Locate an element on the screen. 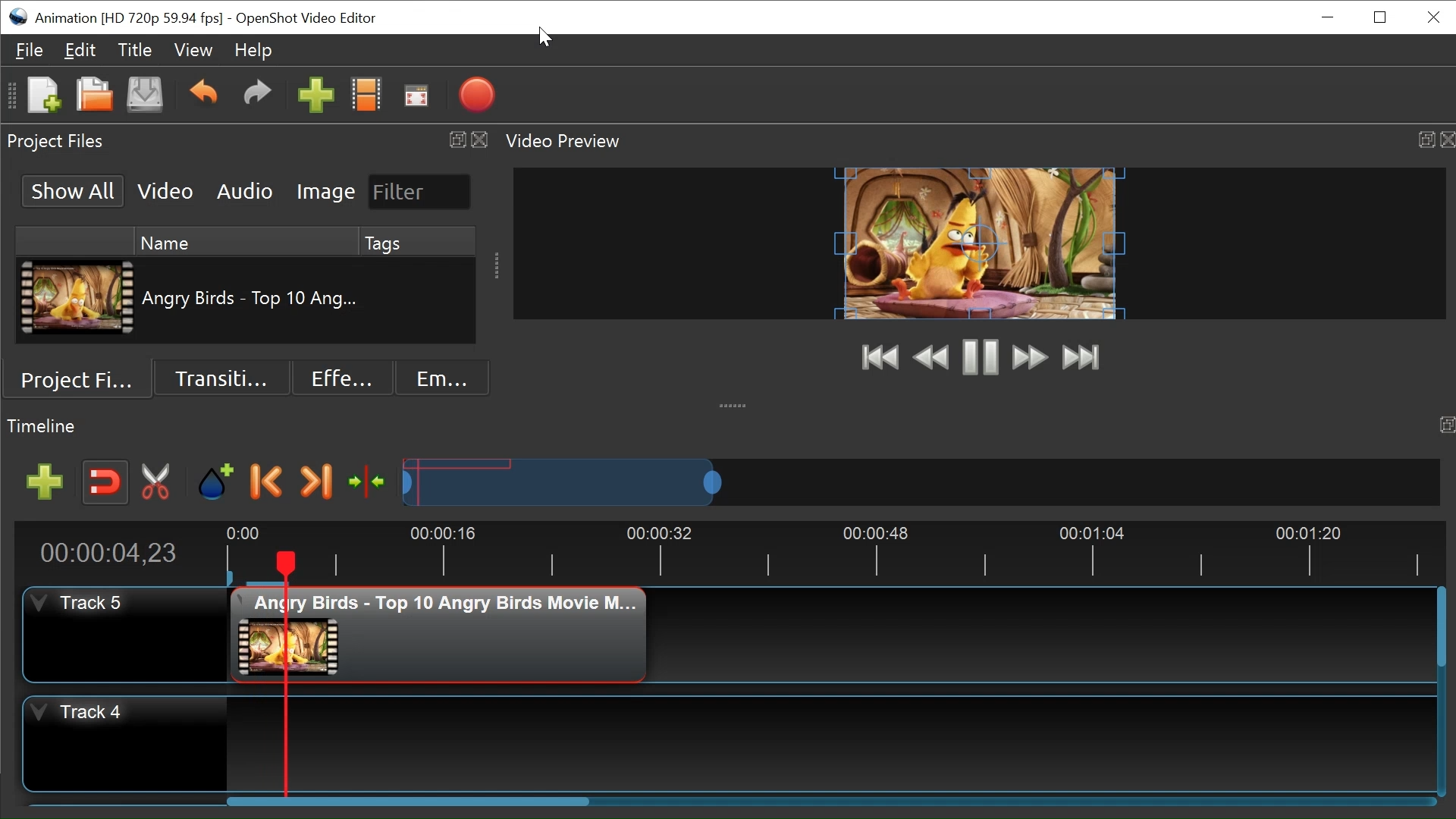 Image resolution: width=1456 pixels, height=819 pixels. Preview Window is located at coordinates (977, 244).